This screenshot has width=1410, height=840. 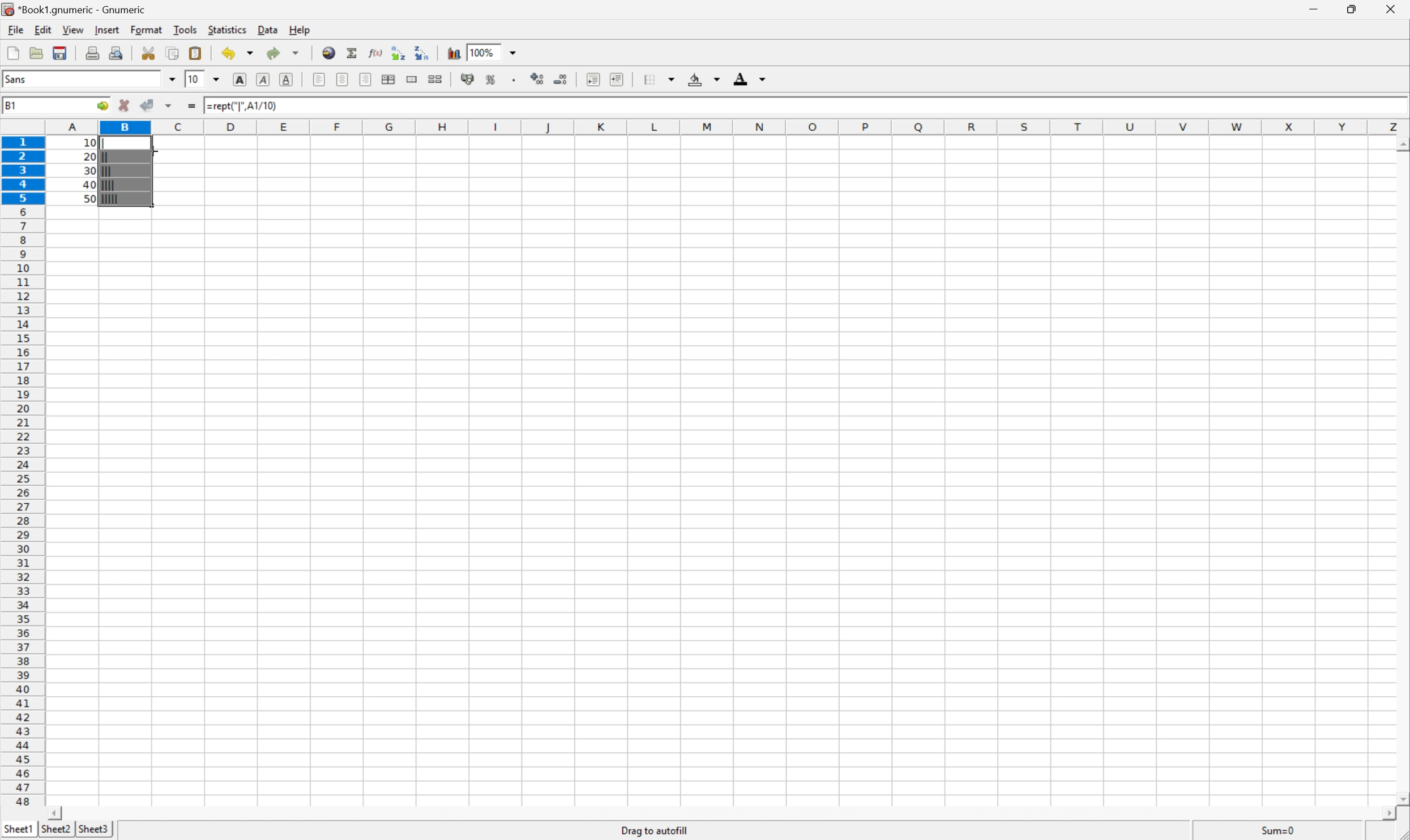 I want to click on Bold, so click(x=240, y=79).